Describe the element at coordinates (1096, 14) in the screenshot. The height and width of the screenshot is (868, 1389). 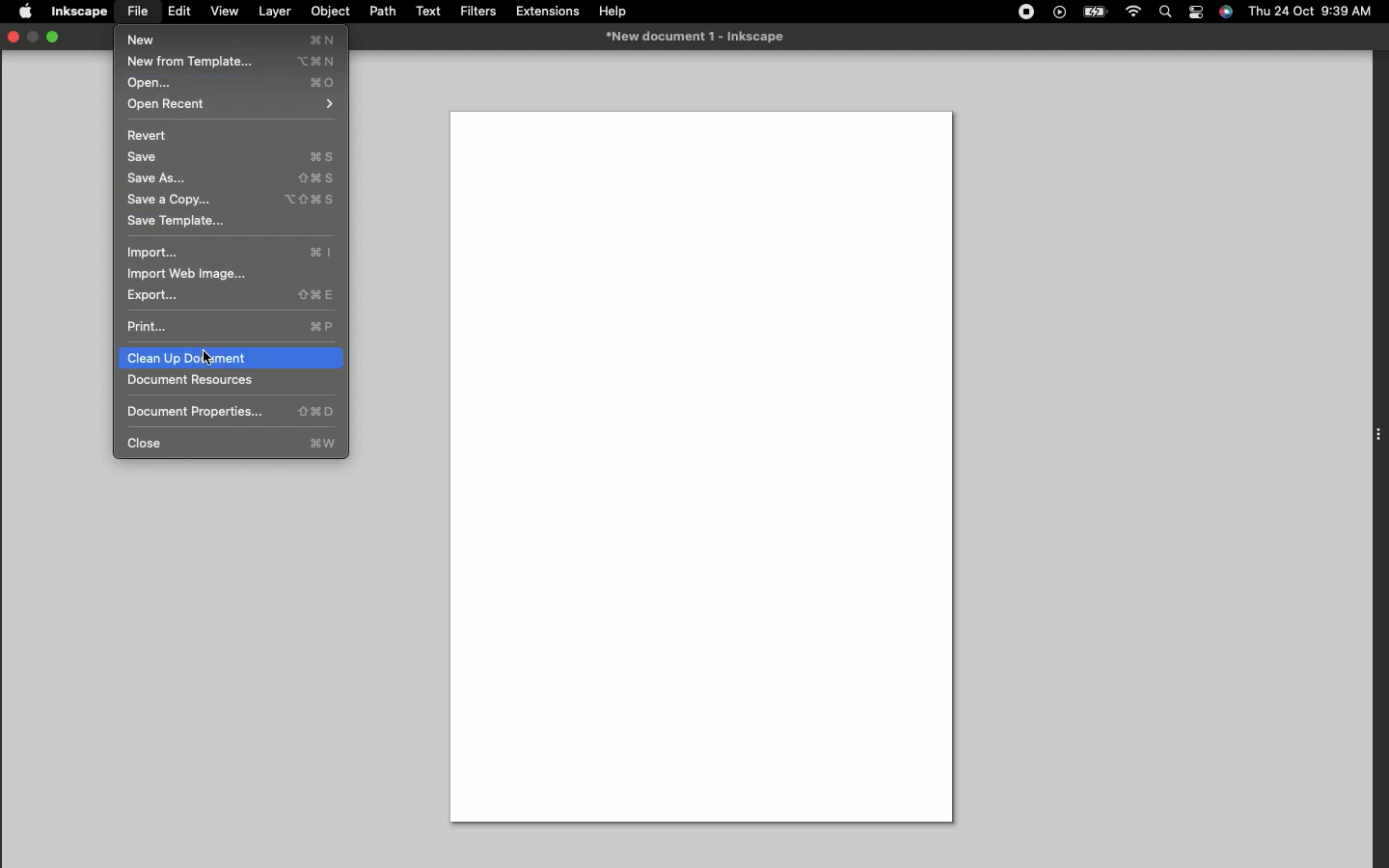
I see `Charge` at that location.